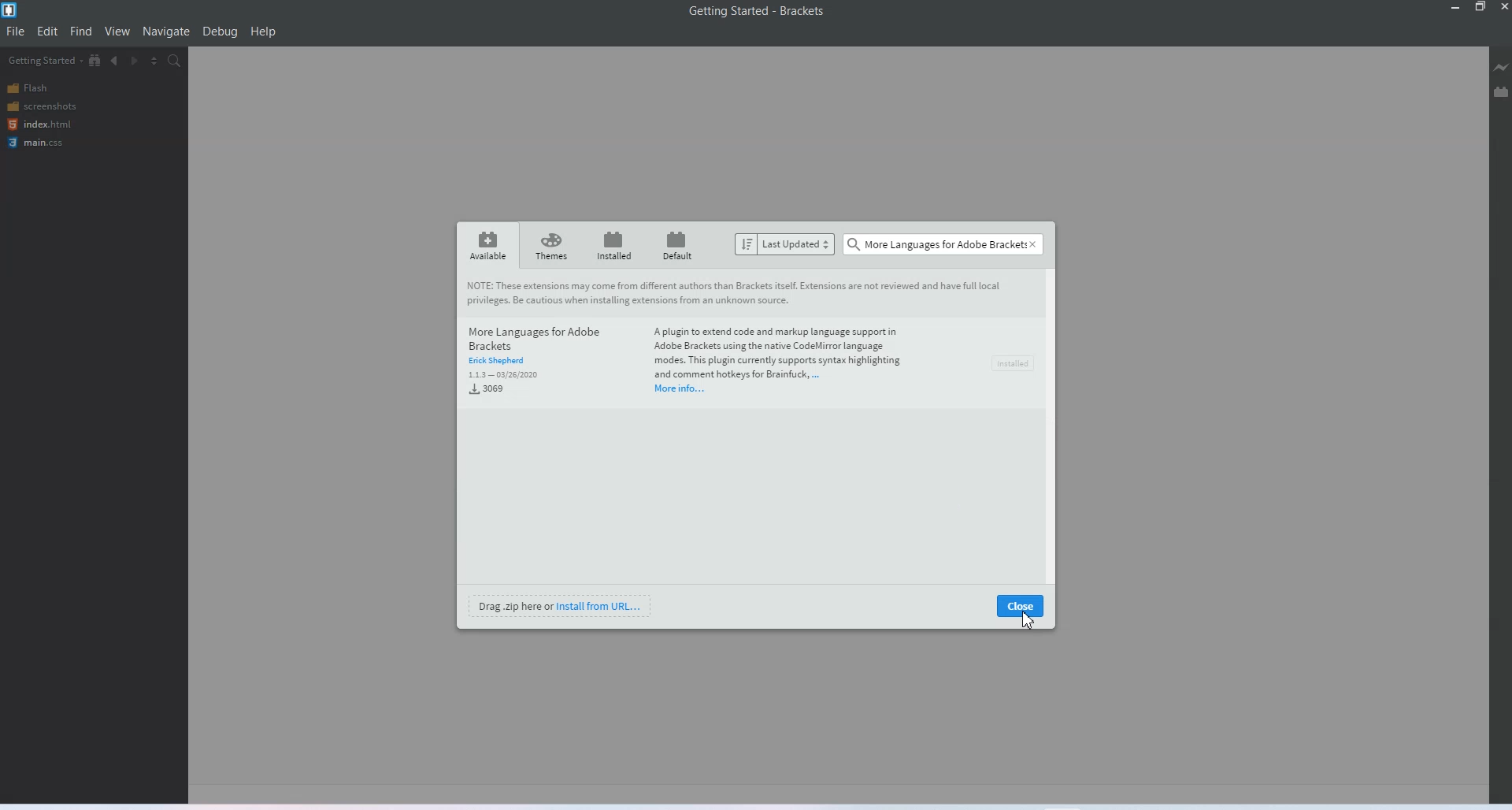  Describe the element at coordinates (780, 351) in the screenshot. I see `A plugin to extend code and markup language support in Adobe Brackets using the native Code language nodes` at that location.